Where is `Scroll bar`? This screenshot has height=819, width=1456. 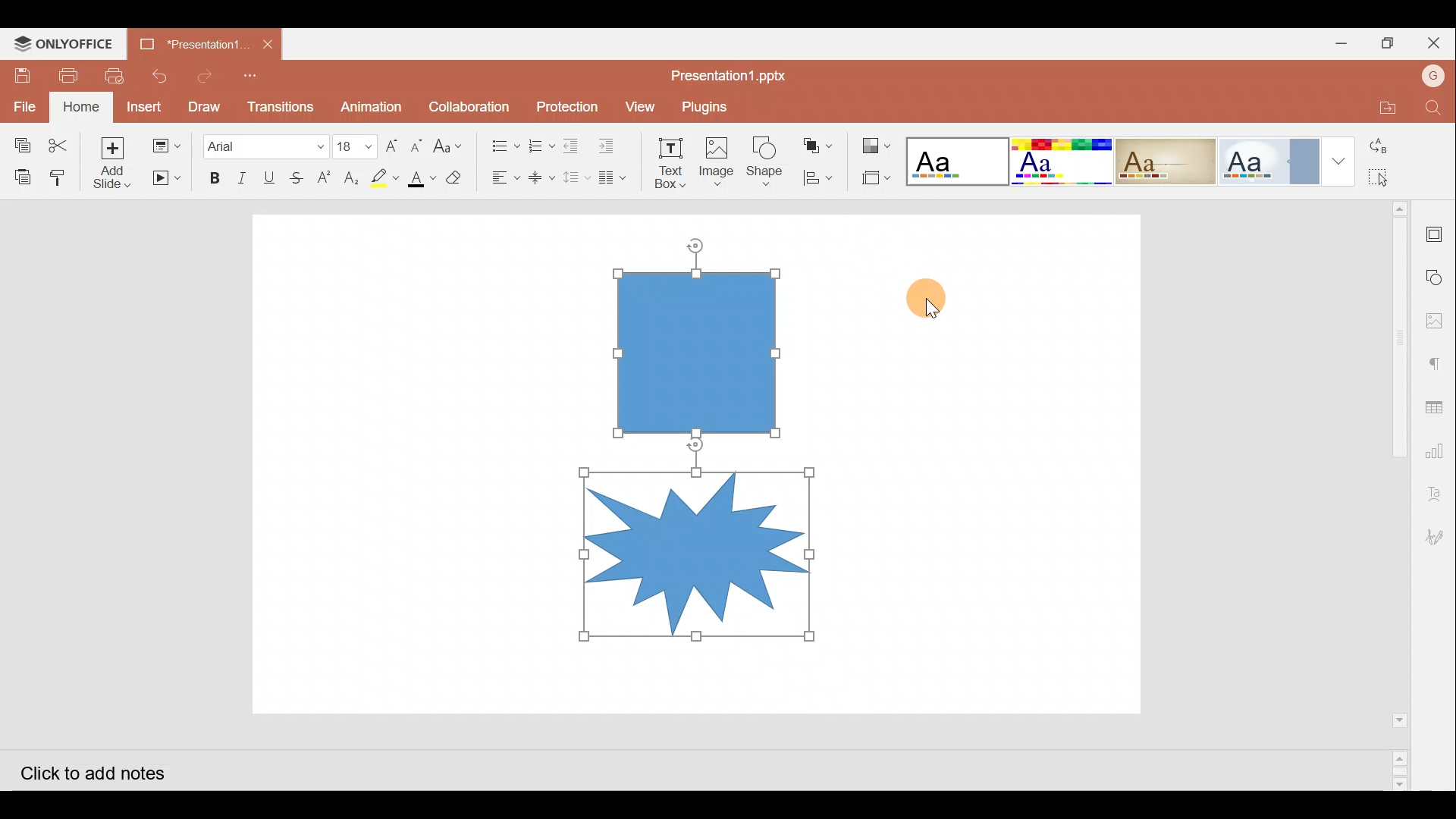
Scroll bar is located at coordinates (1389, 494).